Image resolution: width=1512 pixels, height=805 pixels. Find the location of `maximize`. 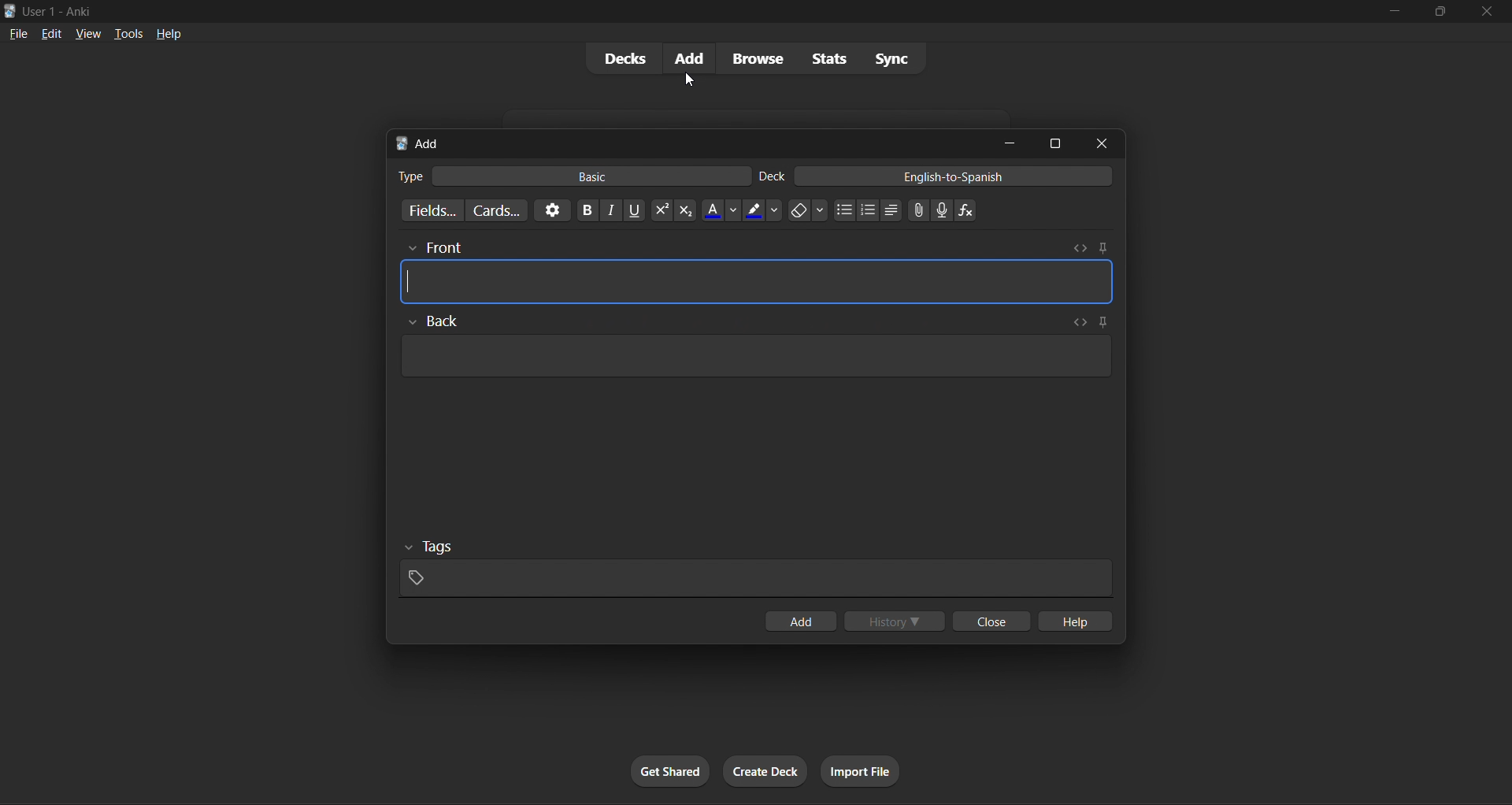

maximize is located at coordinates (1054, 143).